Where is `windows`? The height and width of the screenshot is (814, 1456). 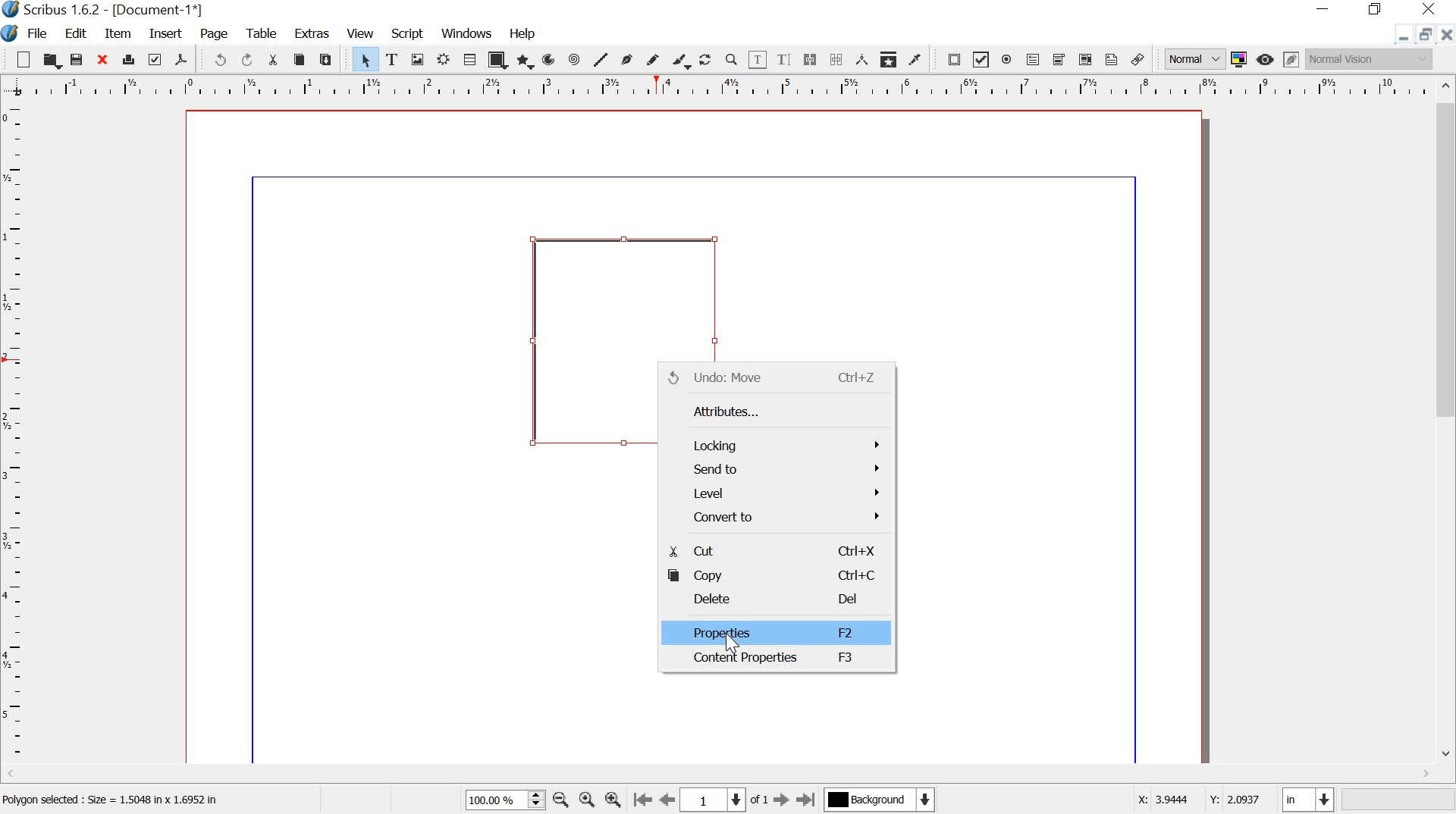
windows is located at coordinates (467, 33).